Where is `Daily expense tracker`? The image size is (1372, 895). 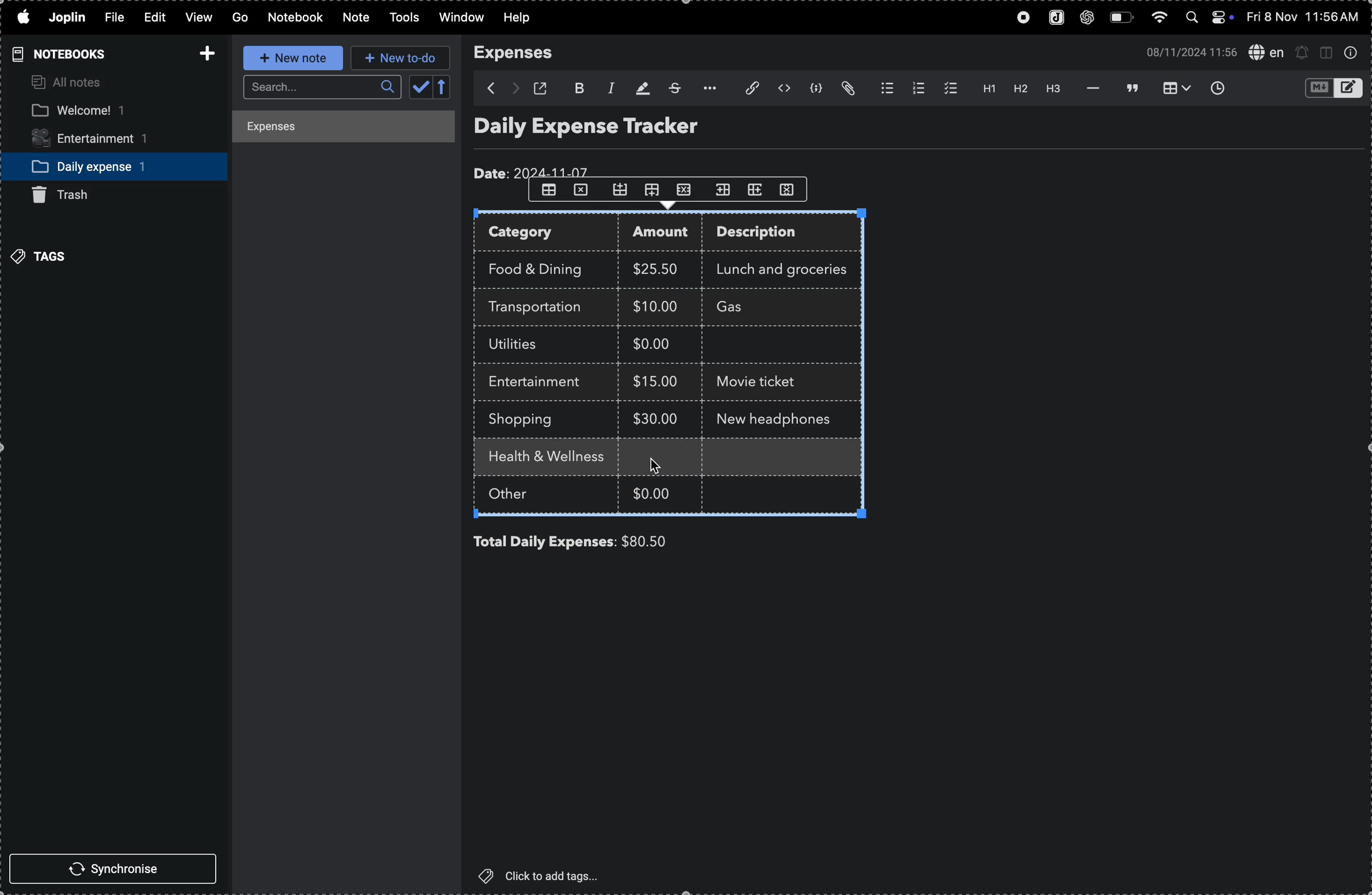 Daily expense tracker is located at coordinates (608, 129).